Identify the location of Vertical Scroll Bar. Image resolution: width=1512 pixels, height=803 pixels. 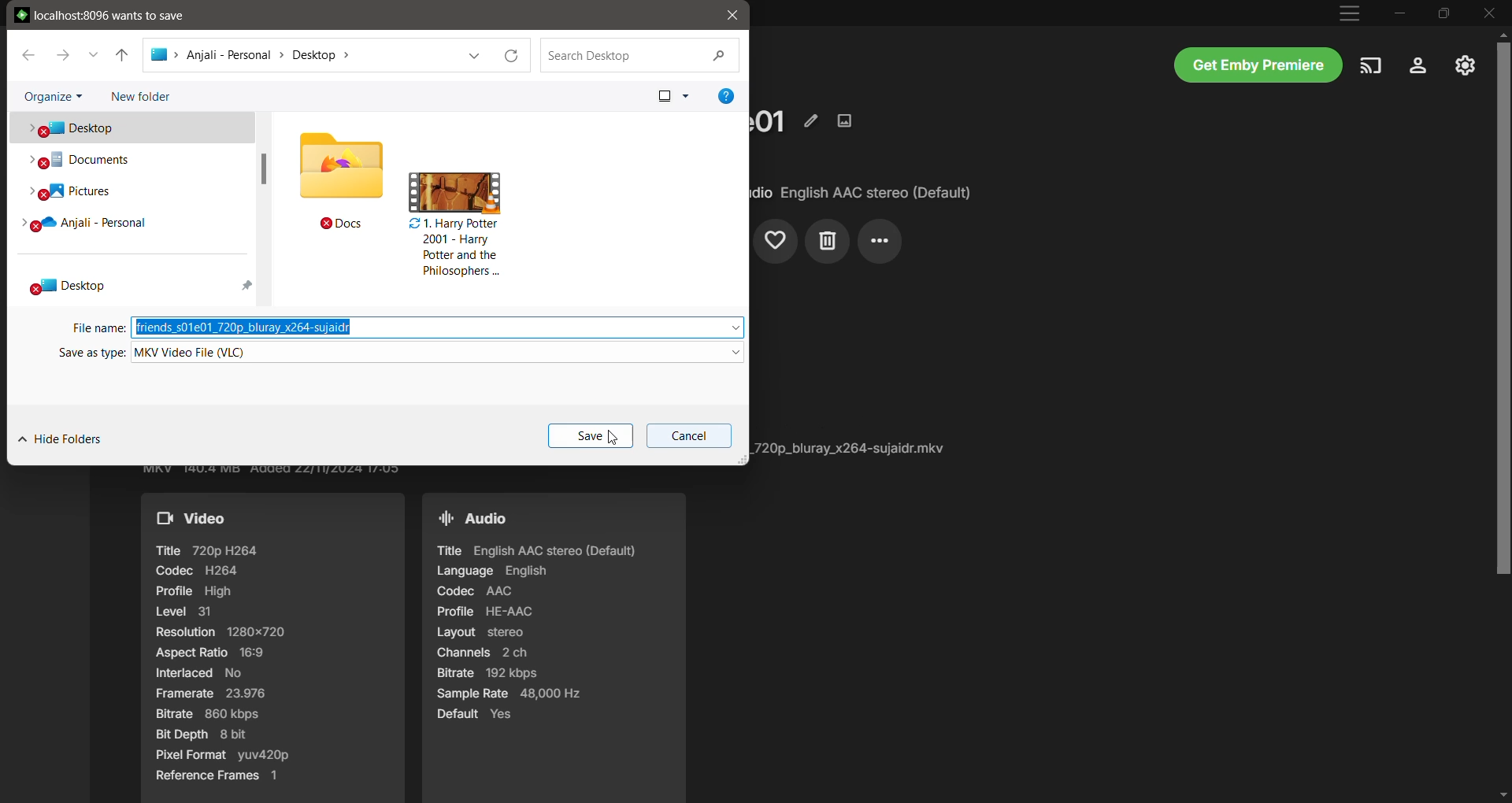
(263, 168).